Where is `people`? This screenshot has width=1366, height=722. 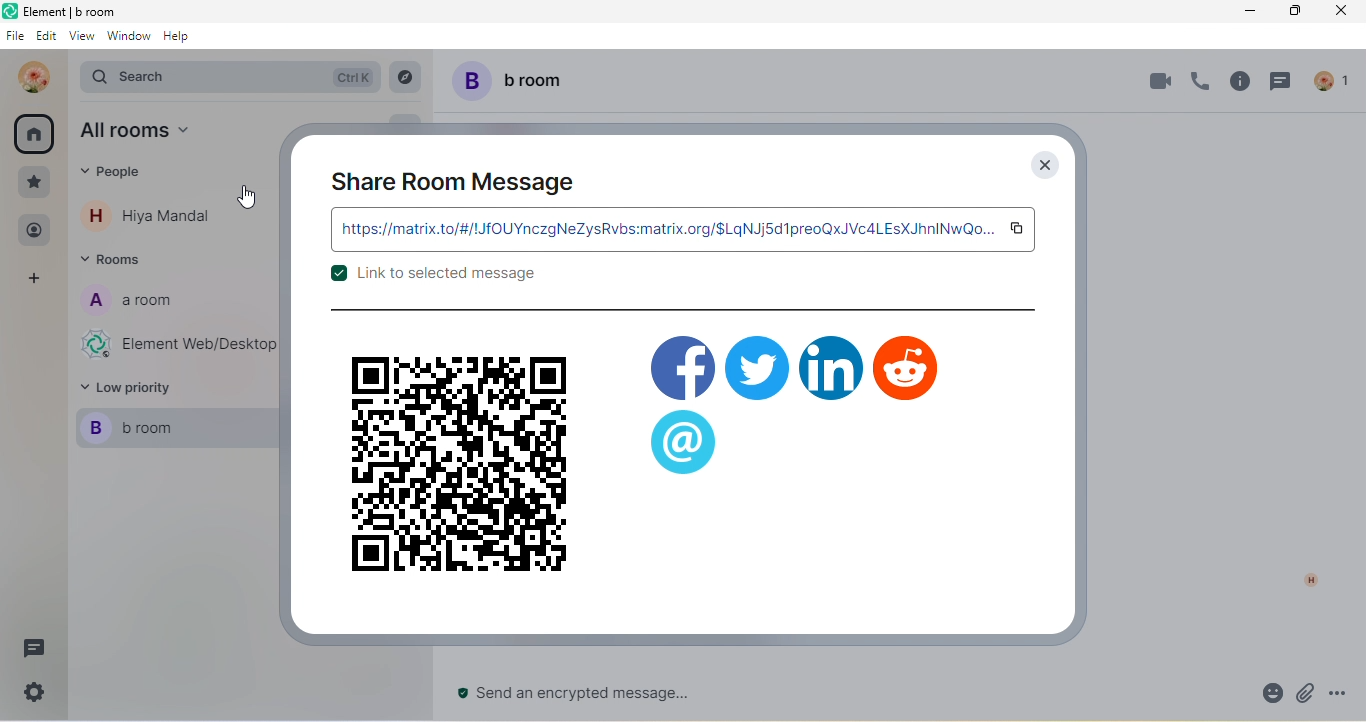
people is located at coordinates (123, 177).